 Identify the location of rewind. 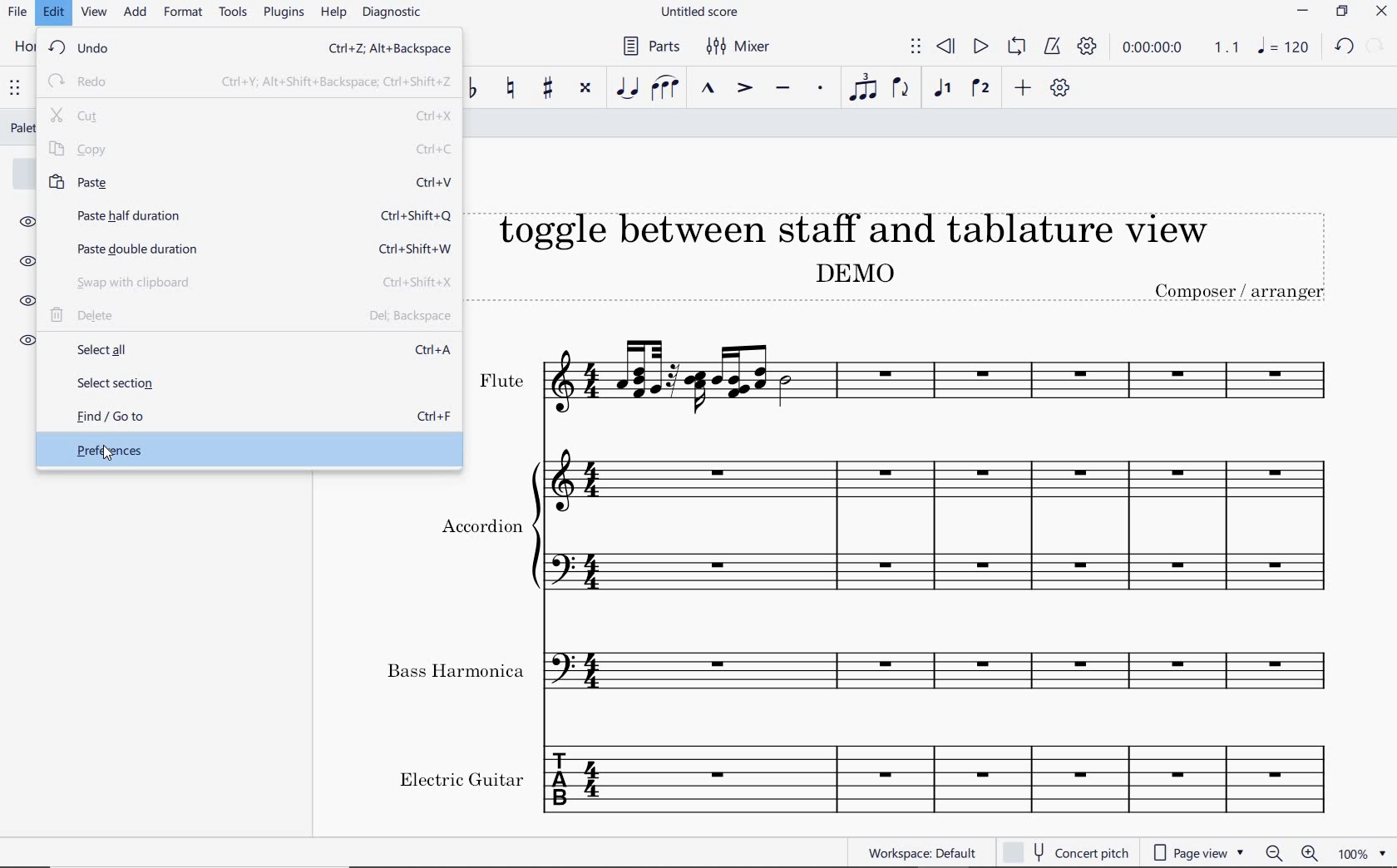
(945, 46).